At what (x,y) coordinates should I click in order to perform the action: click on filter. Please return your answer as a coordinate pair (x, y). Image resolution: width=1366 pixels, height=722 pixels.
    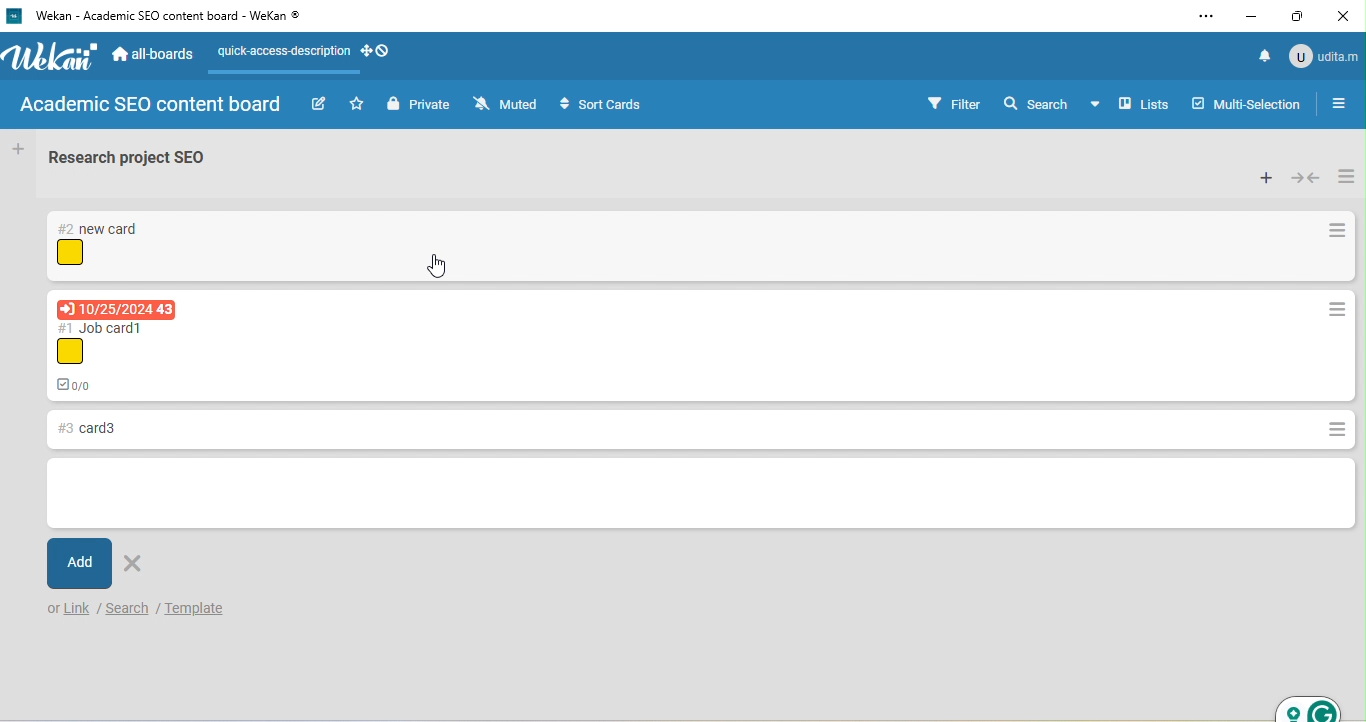
    Looking at the image, I should click on (954, 103).